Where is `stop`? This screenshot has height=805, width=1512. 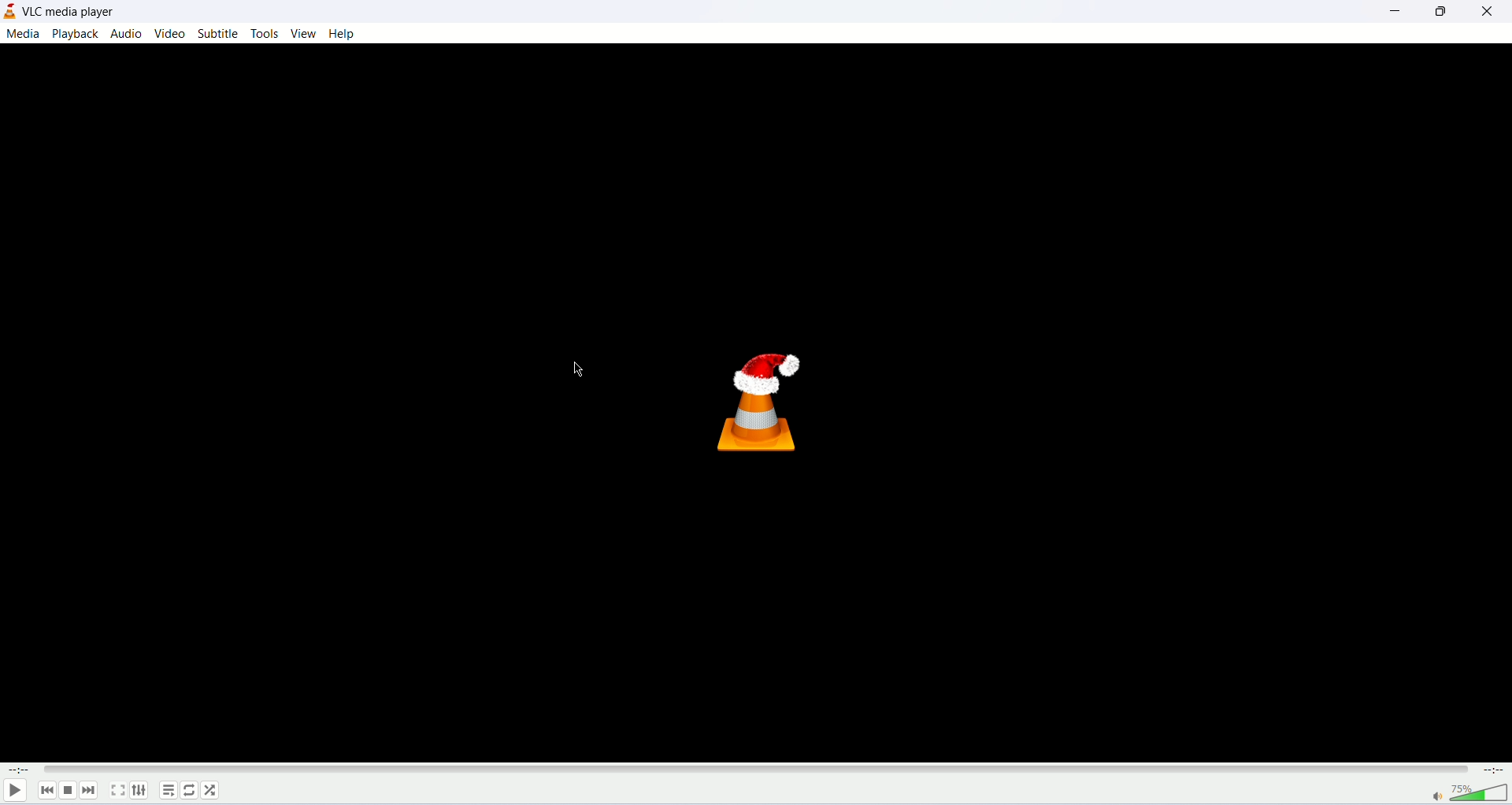 stop is located at coordinates (69, 792).